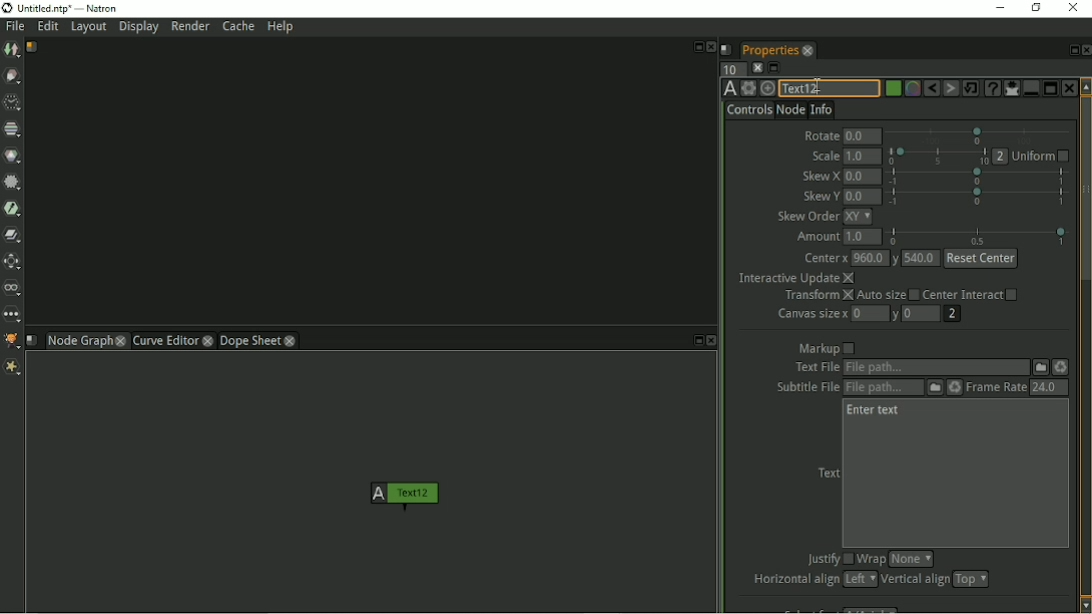  What do you see at coordinates (790, 109) in the screenshot?
I see `Node` at bounding box center [790, 109].